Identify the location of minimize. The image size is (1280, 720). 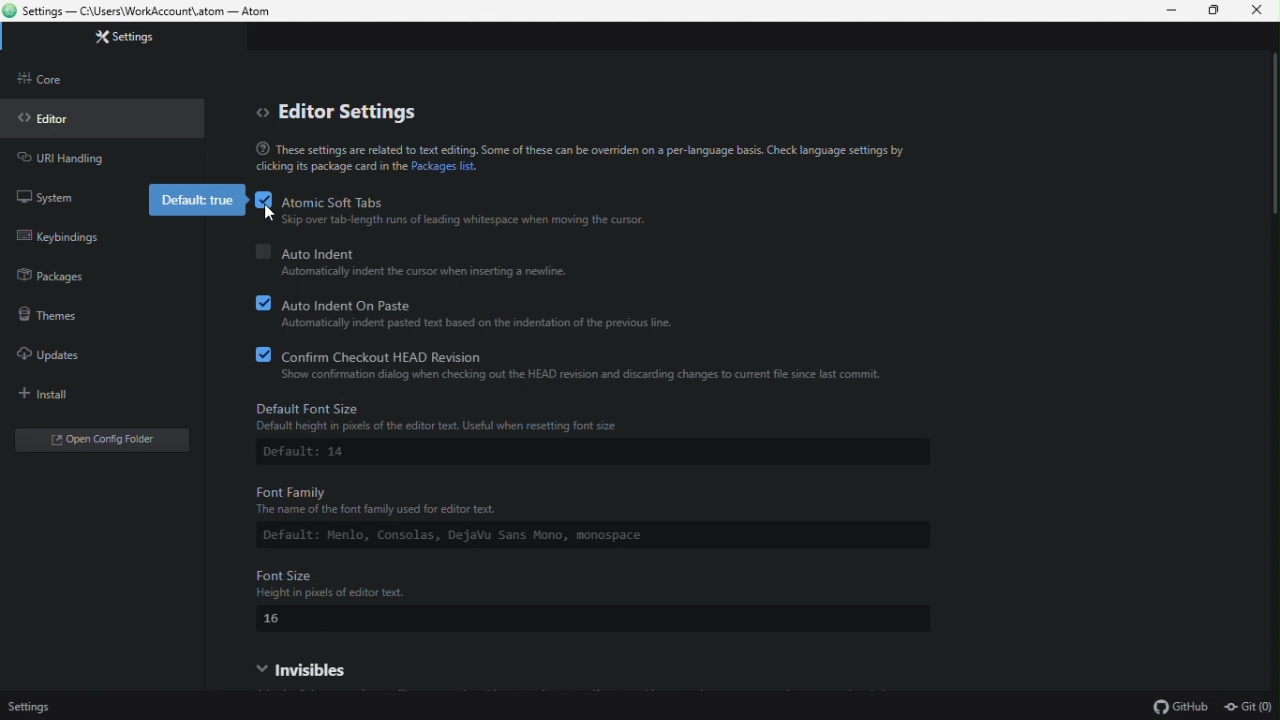
(1166, 11).